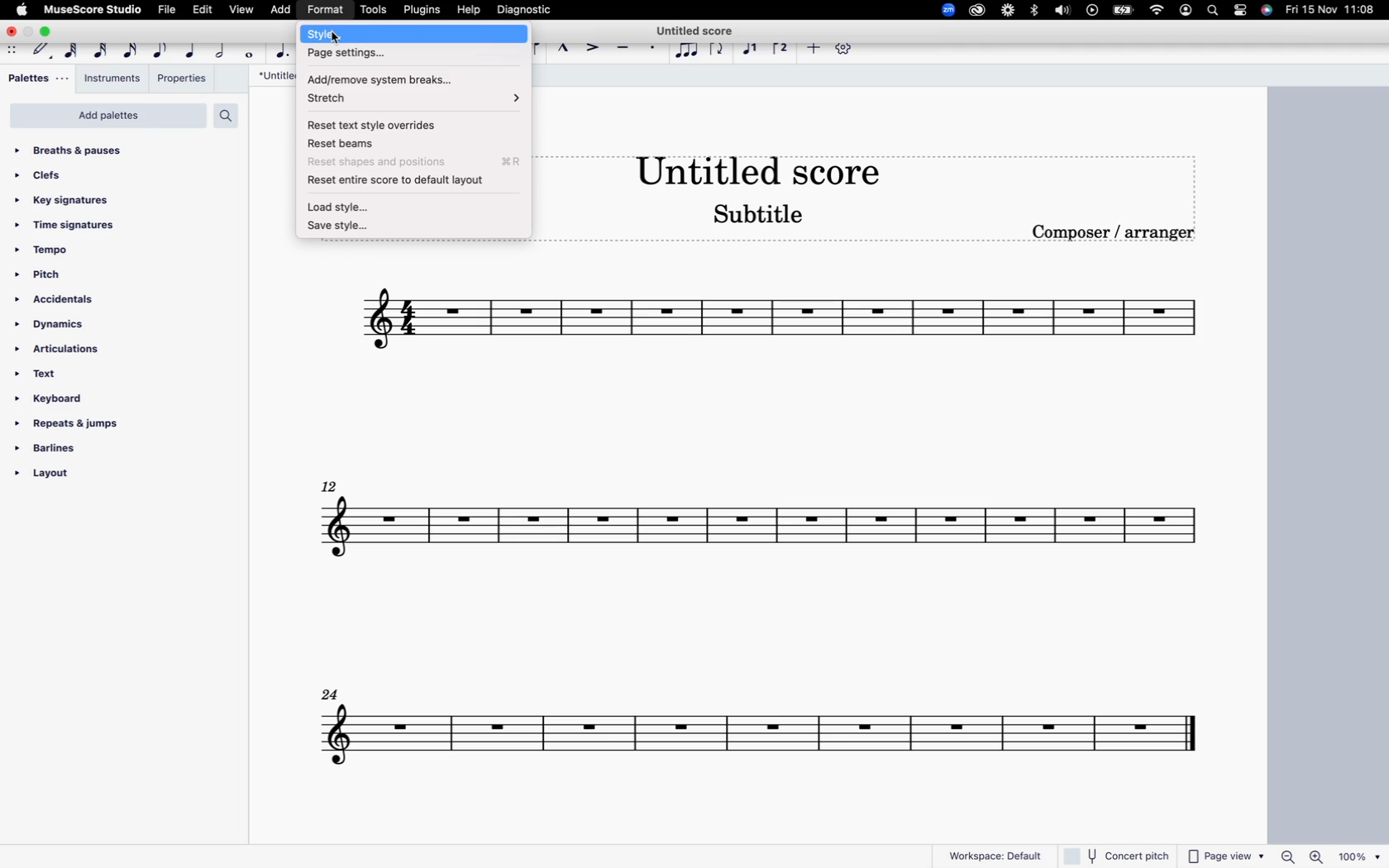 The width and height of the screenshot is (1389, 868). What do you see at coordinates (537, 50) in the screenshot?
I see `slur` at bounding box center [537, 50].